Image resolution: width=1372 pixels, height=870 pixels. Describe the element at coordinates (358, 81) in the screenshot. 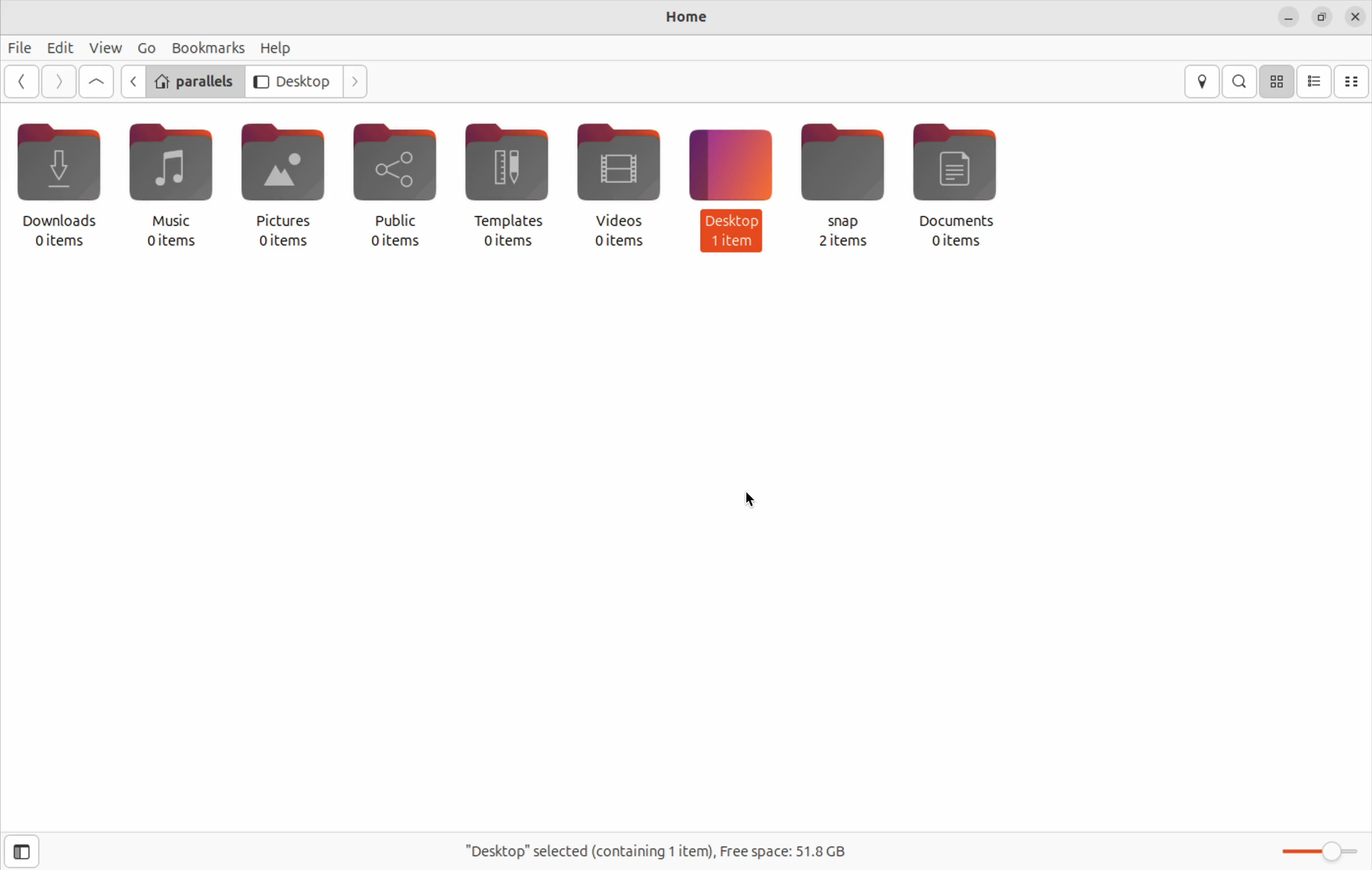

I see `Go next` at that location.